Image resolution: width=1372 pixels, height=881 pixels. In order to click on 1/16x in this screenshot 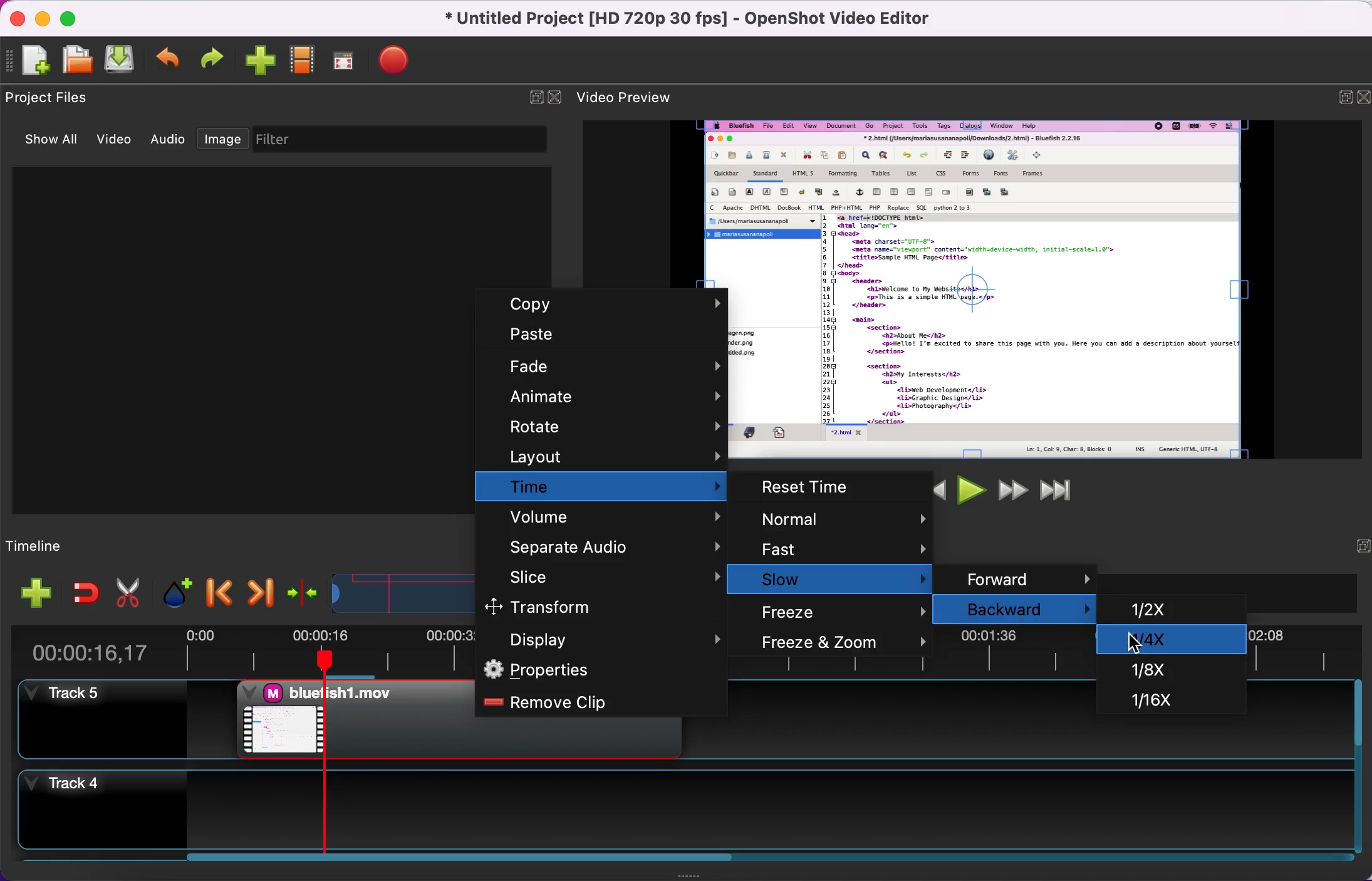, I will do `click(1141, 701)`.